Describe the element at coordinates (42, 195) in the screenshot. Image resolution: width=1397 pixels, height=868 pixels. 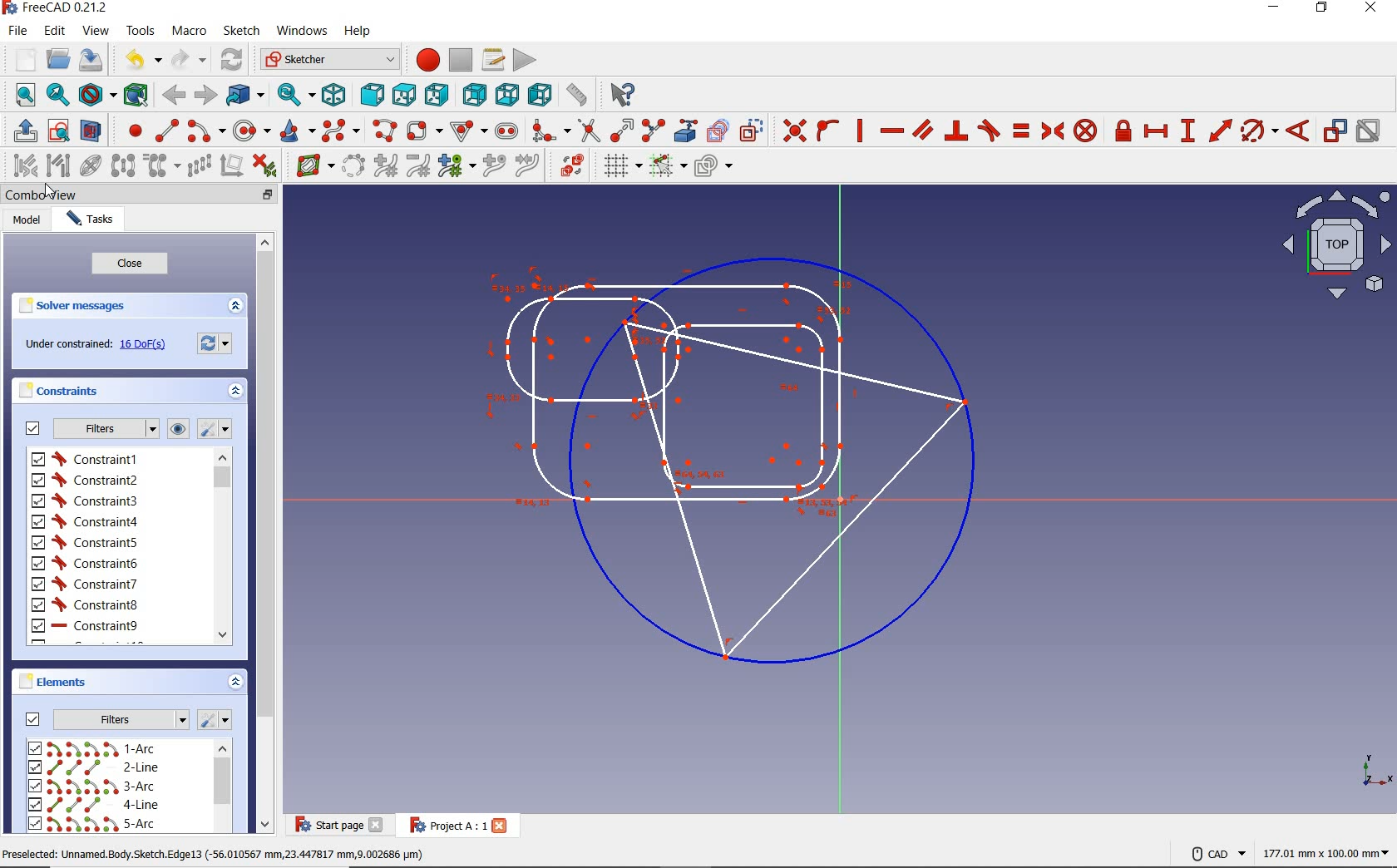
I see `combo view` at that location.